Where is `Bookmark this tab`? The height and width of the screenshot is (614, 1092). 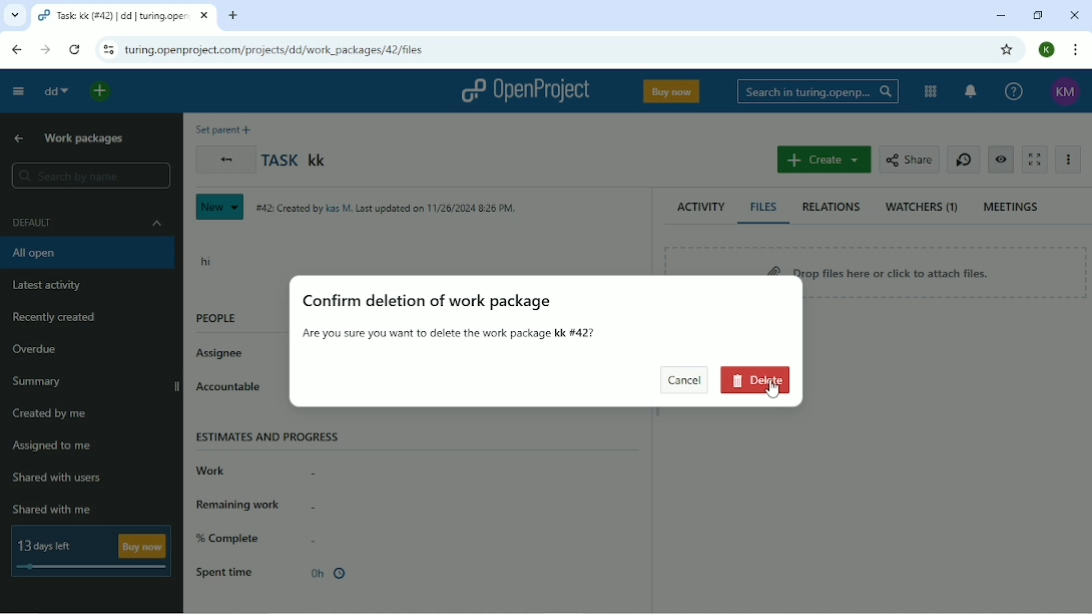 Bookmark this tab is located at coordinates (1007, 50).